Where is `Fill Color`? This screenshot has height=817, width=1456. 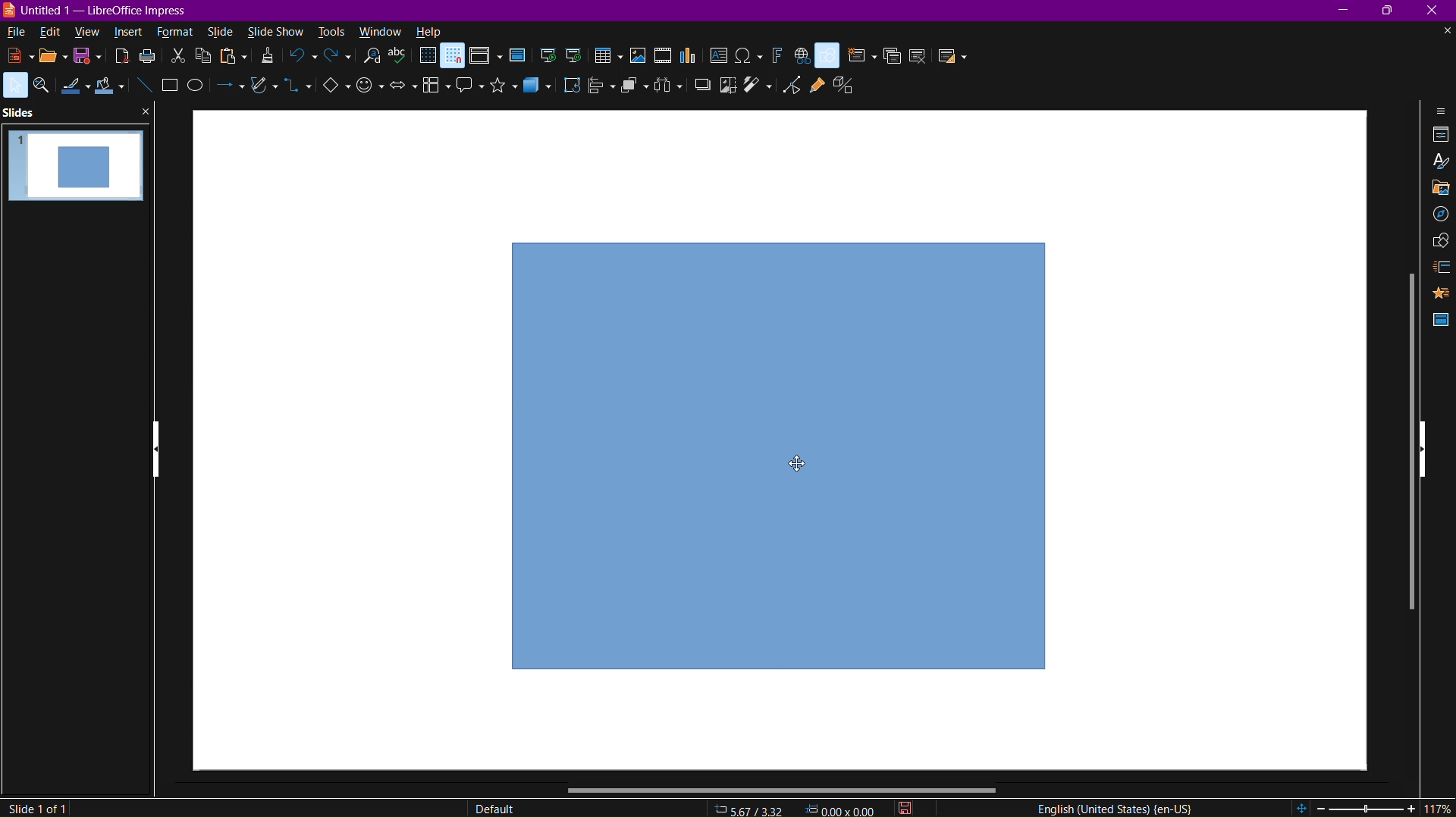
Fill Color is located at coordinates (112, 88).